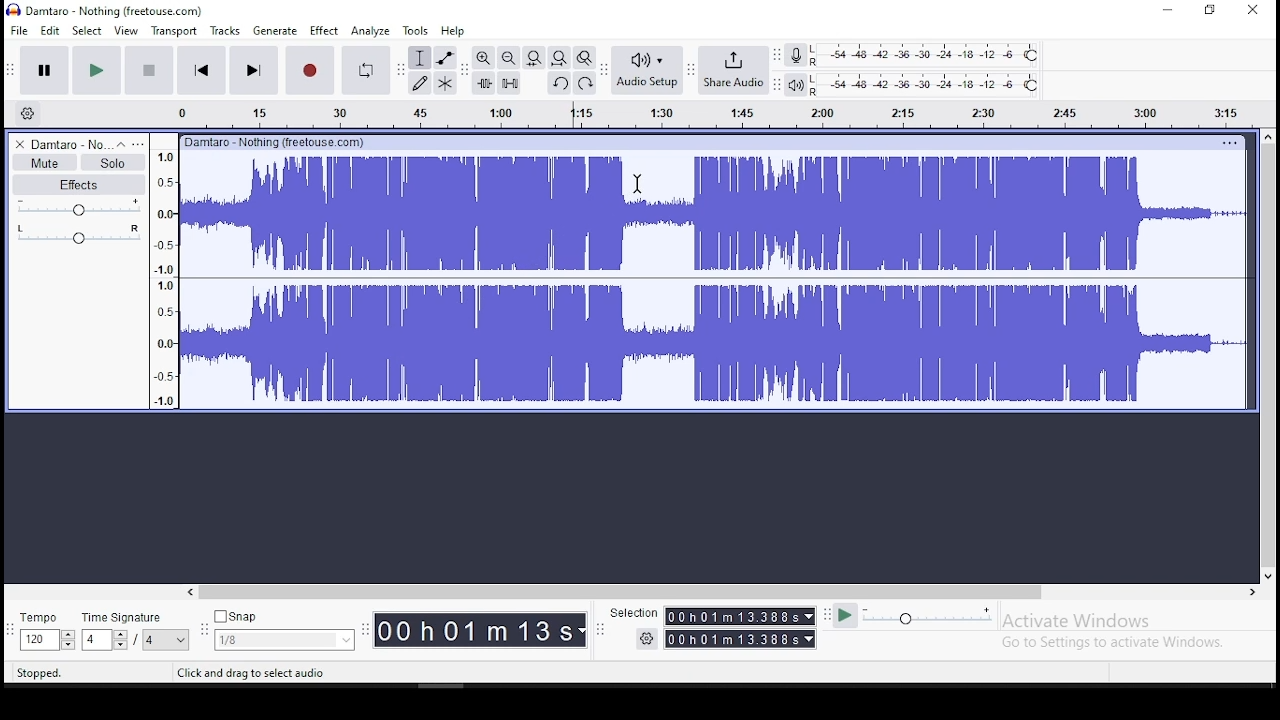 Image resolution: width=1280 pixels, height=720 pixels. What do you see at coordinates (796, 55) in the screenshot?
I see `record meter` at bounding box center [796, 55].